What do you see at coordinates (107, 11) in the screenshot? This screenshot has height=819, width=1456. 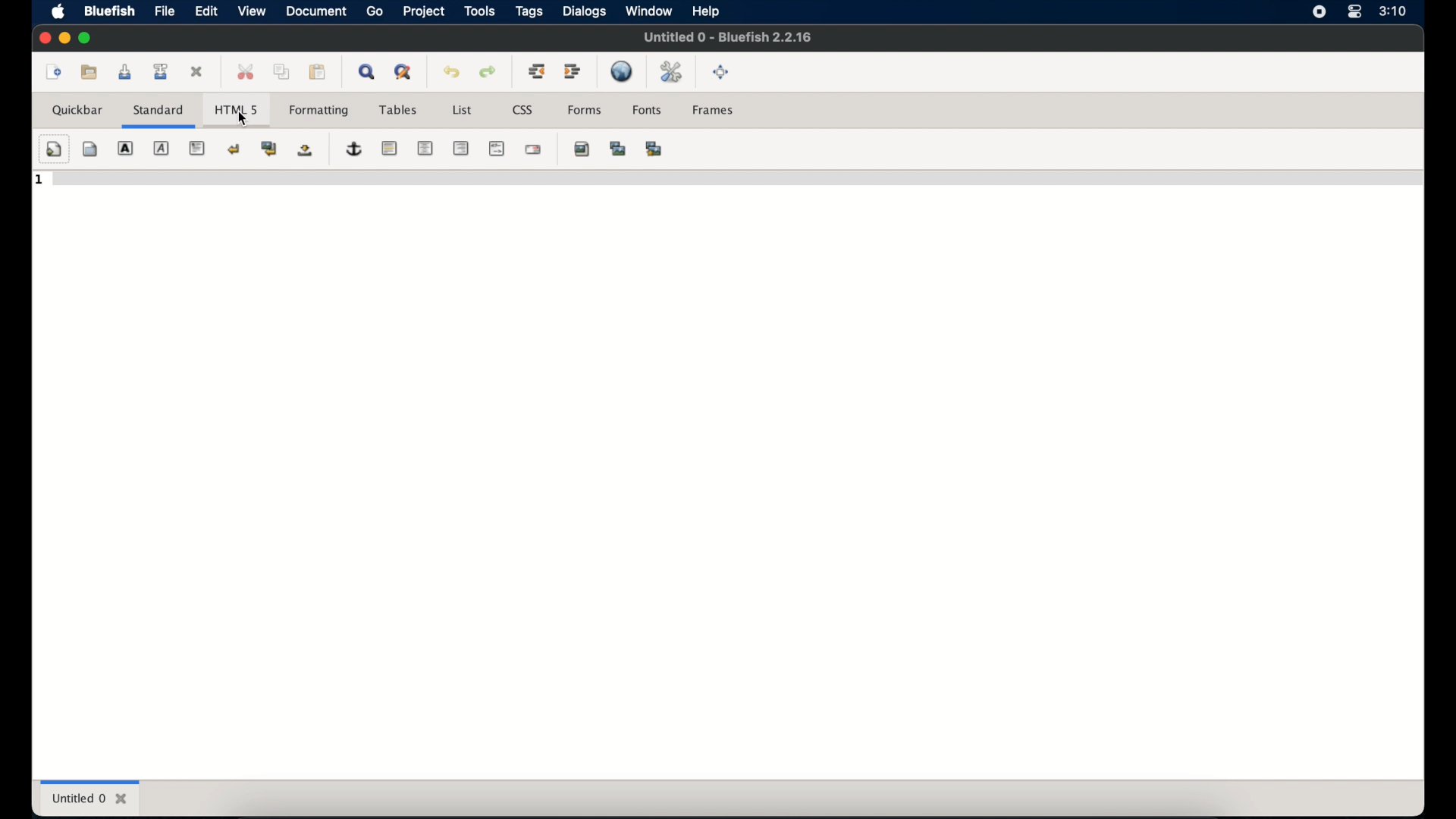 I see `bluefish` at bounding box center [107, 11].